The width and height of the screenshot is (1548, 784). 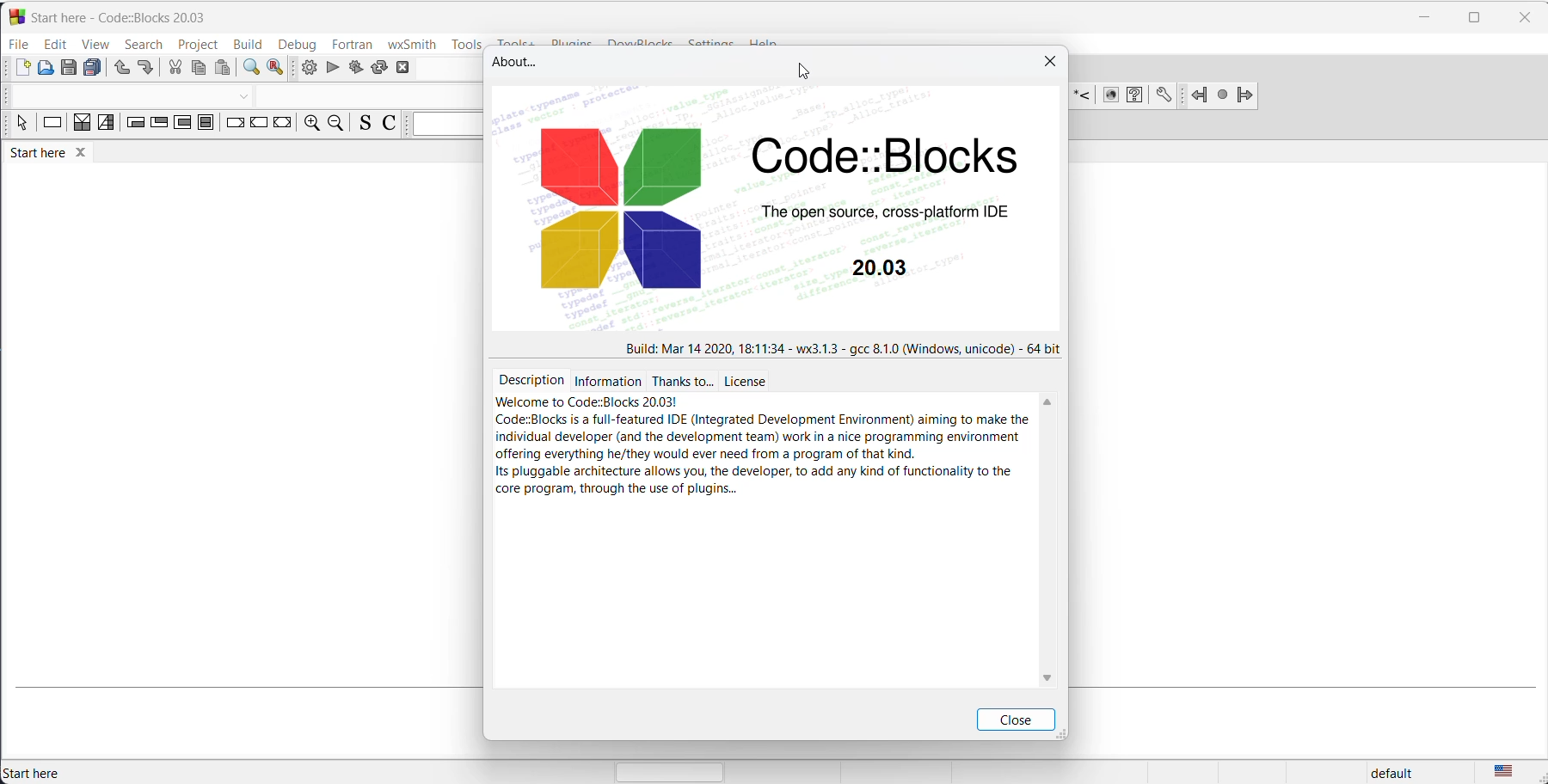 What do you see at coordinates (378, 68) in the screenshot?
I see `rebuild` at bounding box center [378, 68].